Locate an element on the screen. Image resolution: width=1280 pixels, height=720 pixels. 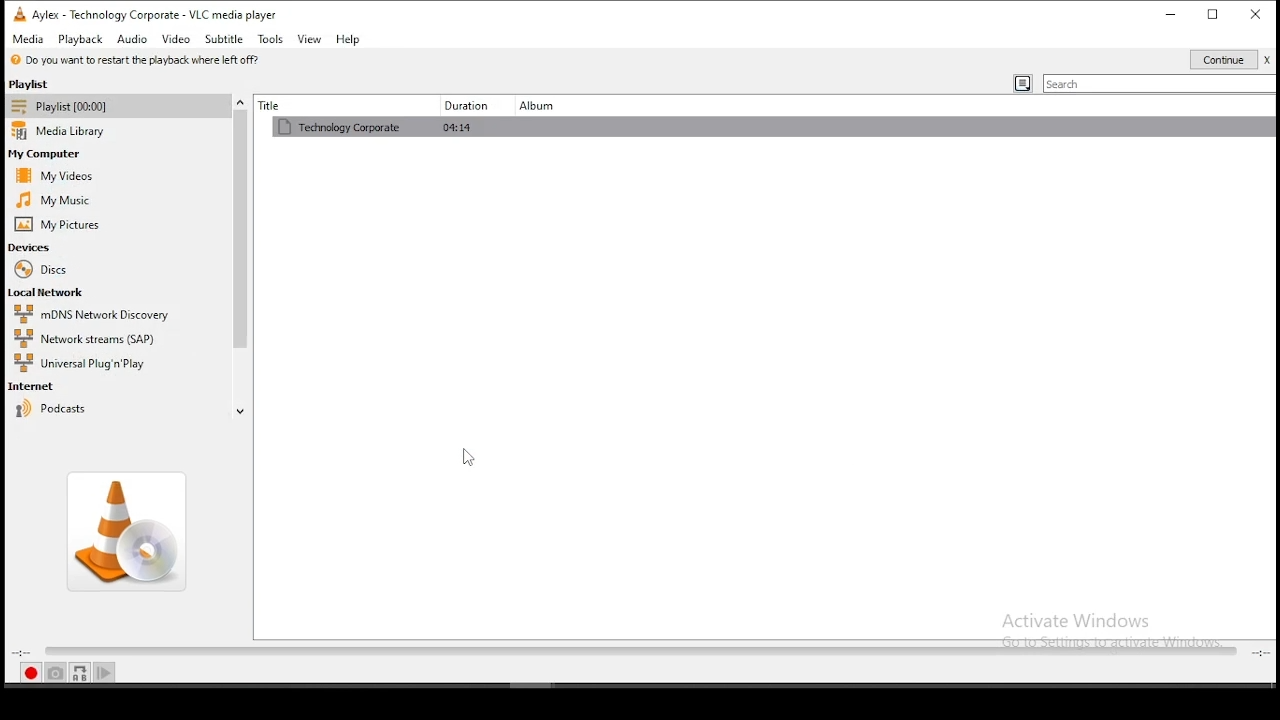
toggle playlist view is located at coordinates (1024, 82).